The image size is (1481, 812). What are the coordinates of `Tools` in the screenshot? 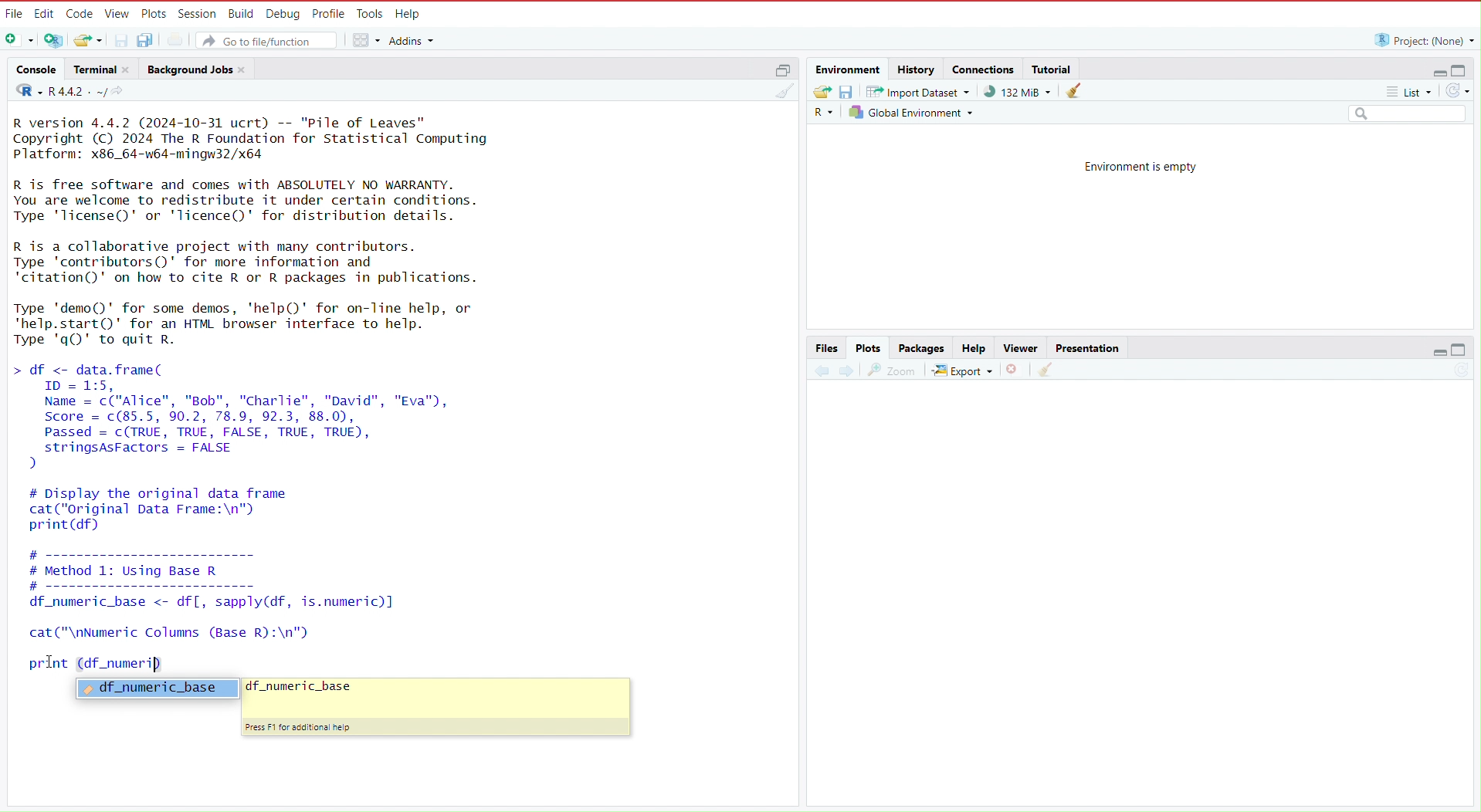 It's located at (371, 13).